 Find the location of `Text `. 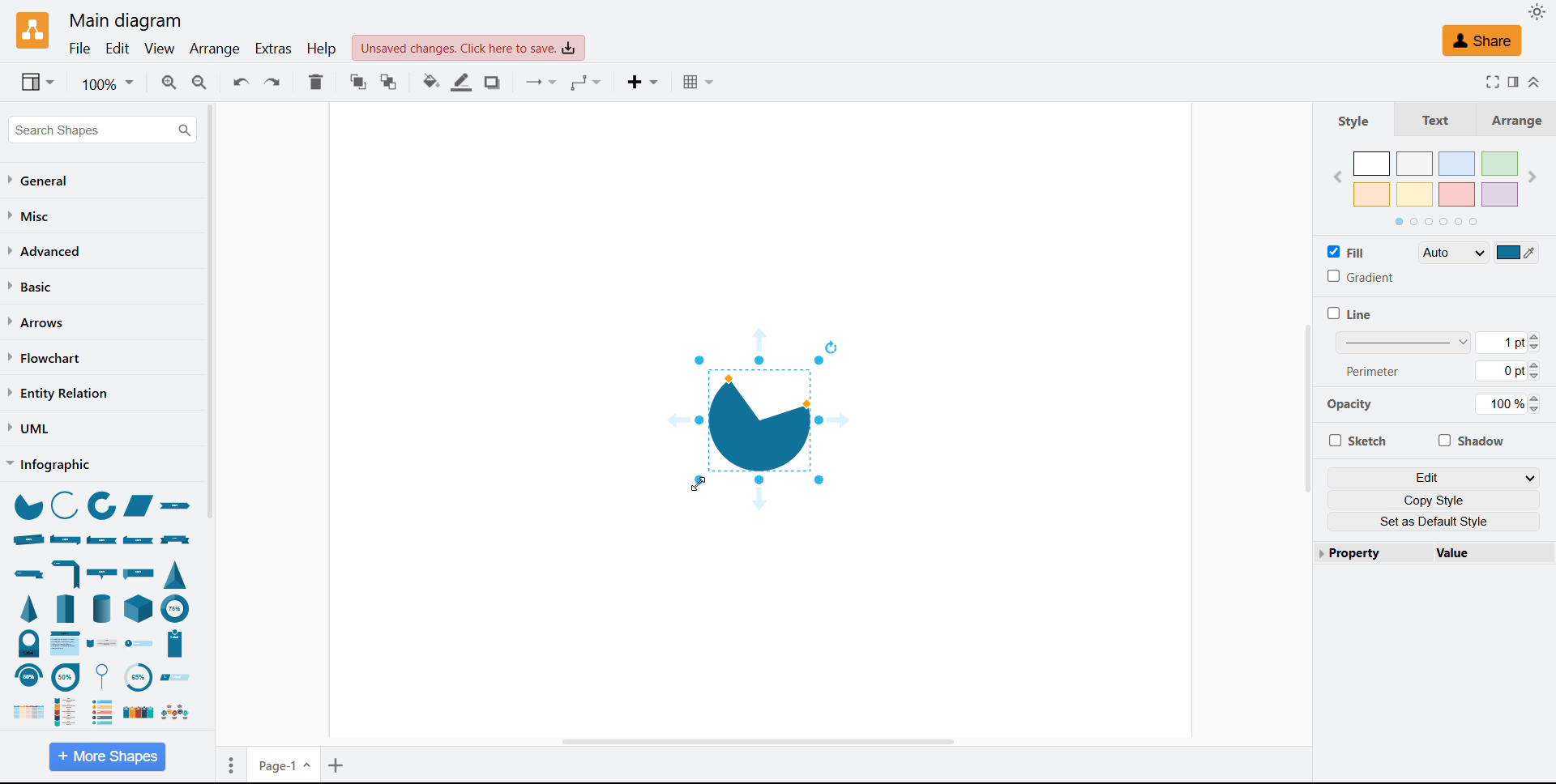

Text  is located at coordinates (1429, 118).